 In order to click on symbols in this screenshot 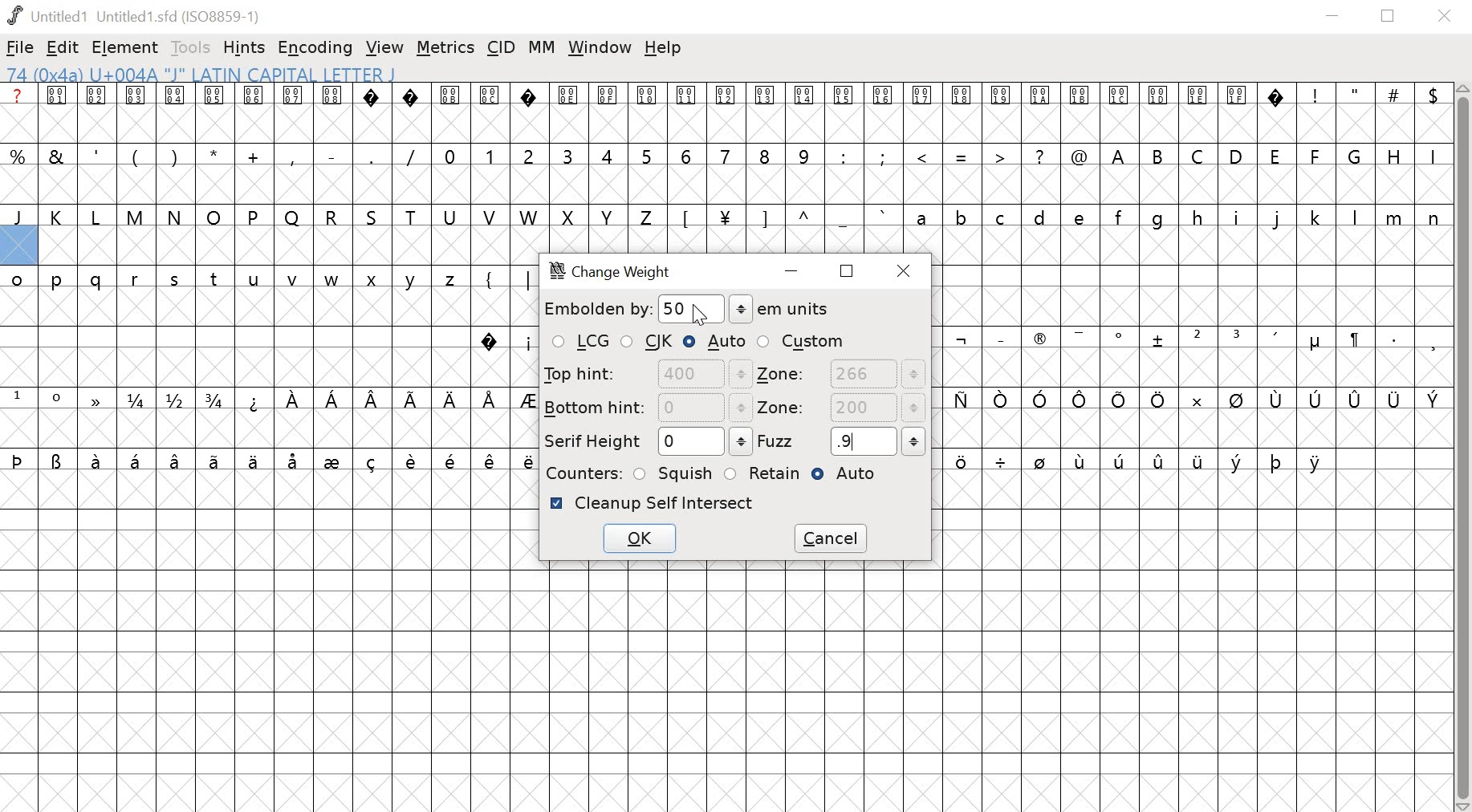, I will do `click(504, 341)`.